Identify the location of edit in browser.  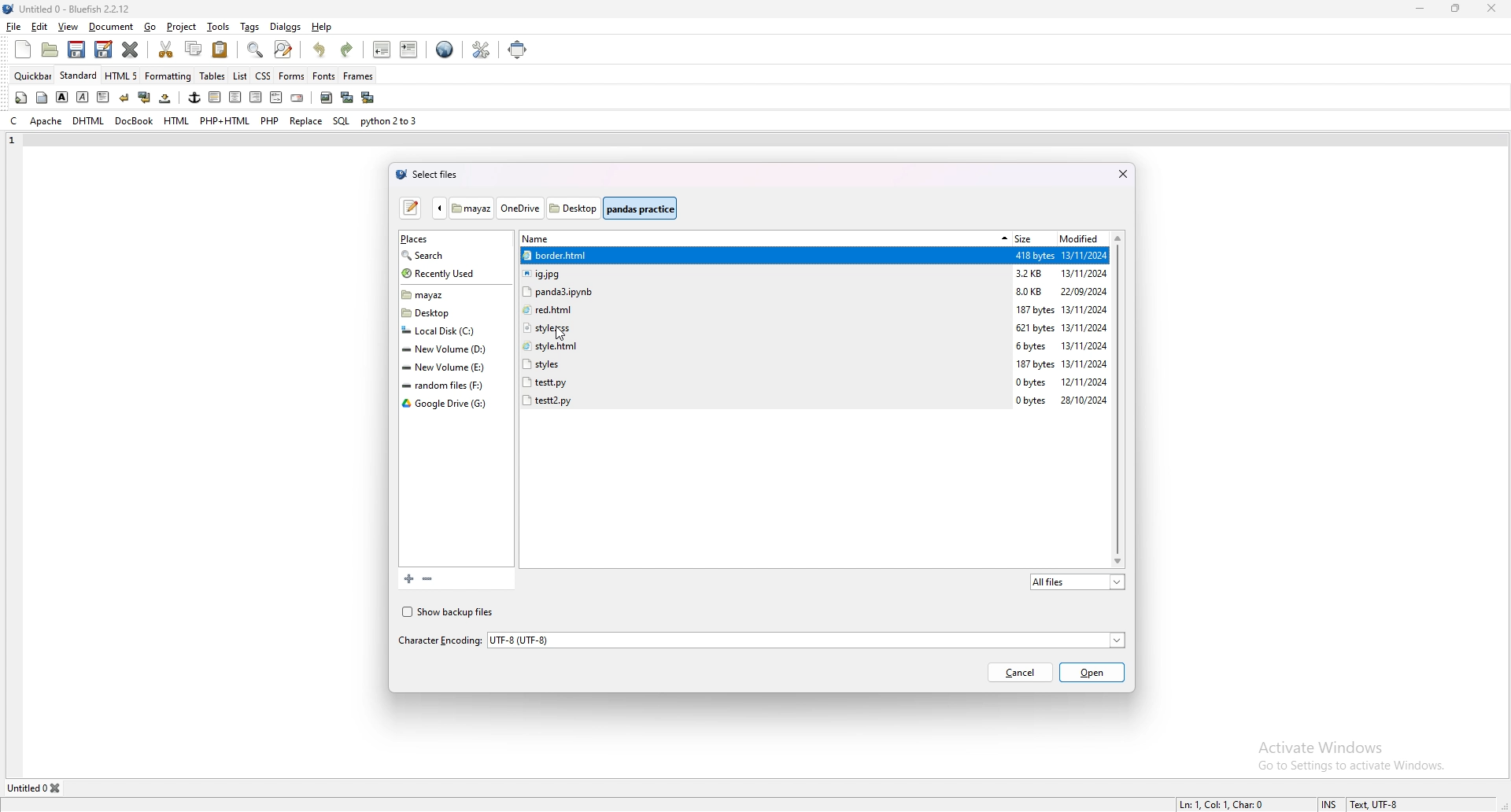
(445, 50).